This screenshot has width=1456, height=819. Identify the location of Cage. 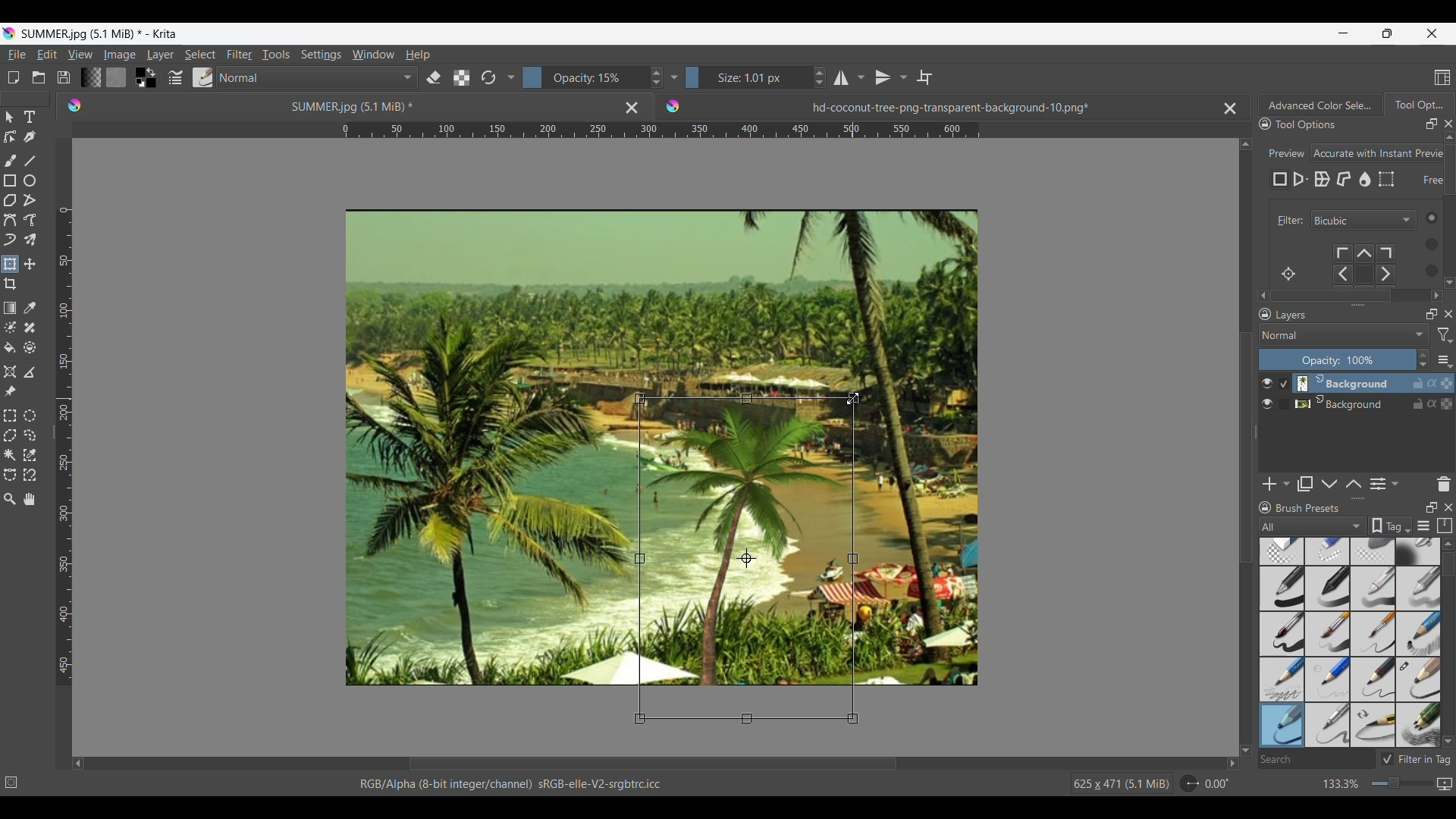
(1345, 180).